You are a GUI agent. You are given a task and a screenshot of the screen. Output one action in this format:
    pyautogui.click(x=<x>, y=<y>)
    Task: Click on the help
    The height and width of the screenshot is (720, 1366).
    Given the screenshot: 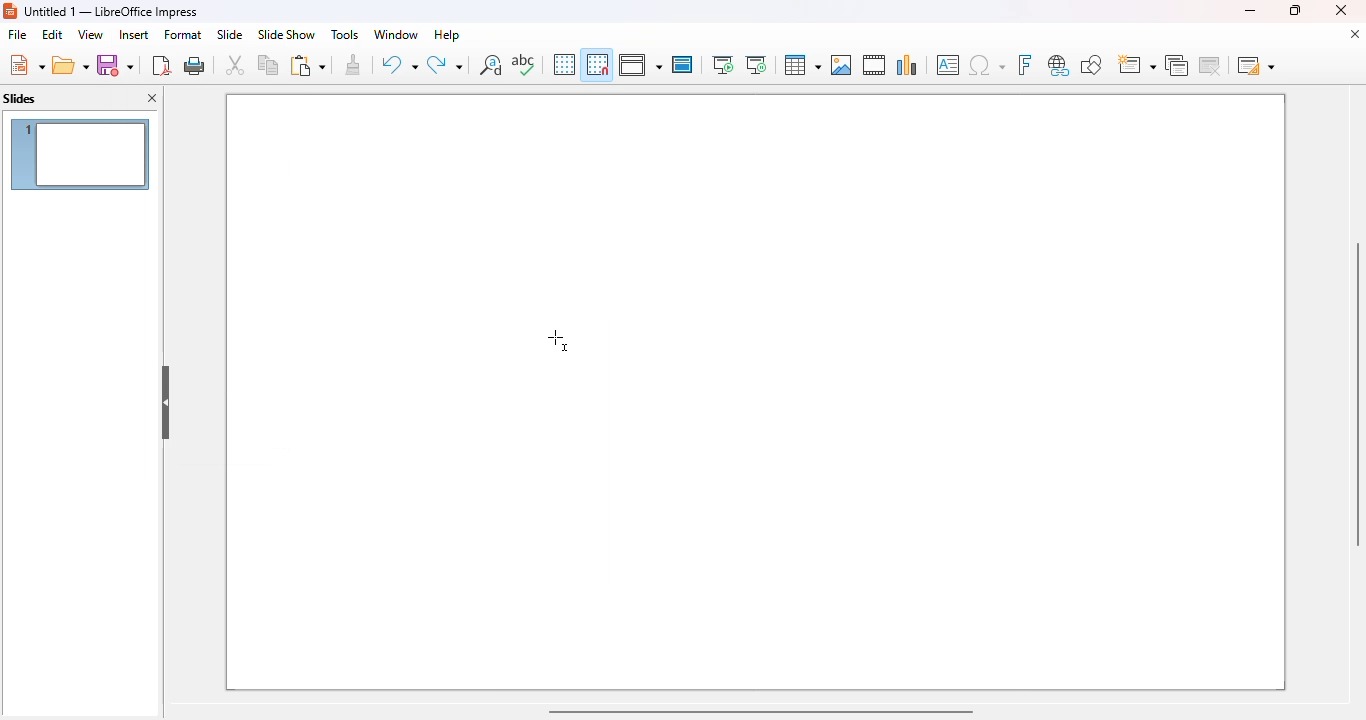 What is the action you would take?
    pyautogui.click(x=447, y=34)
    